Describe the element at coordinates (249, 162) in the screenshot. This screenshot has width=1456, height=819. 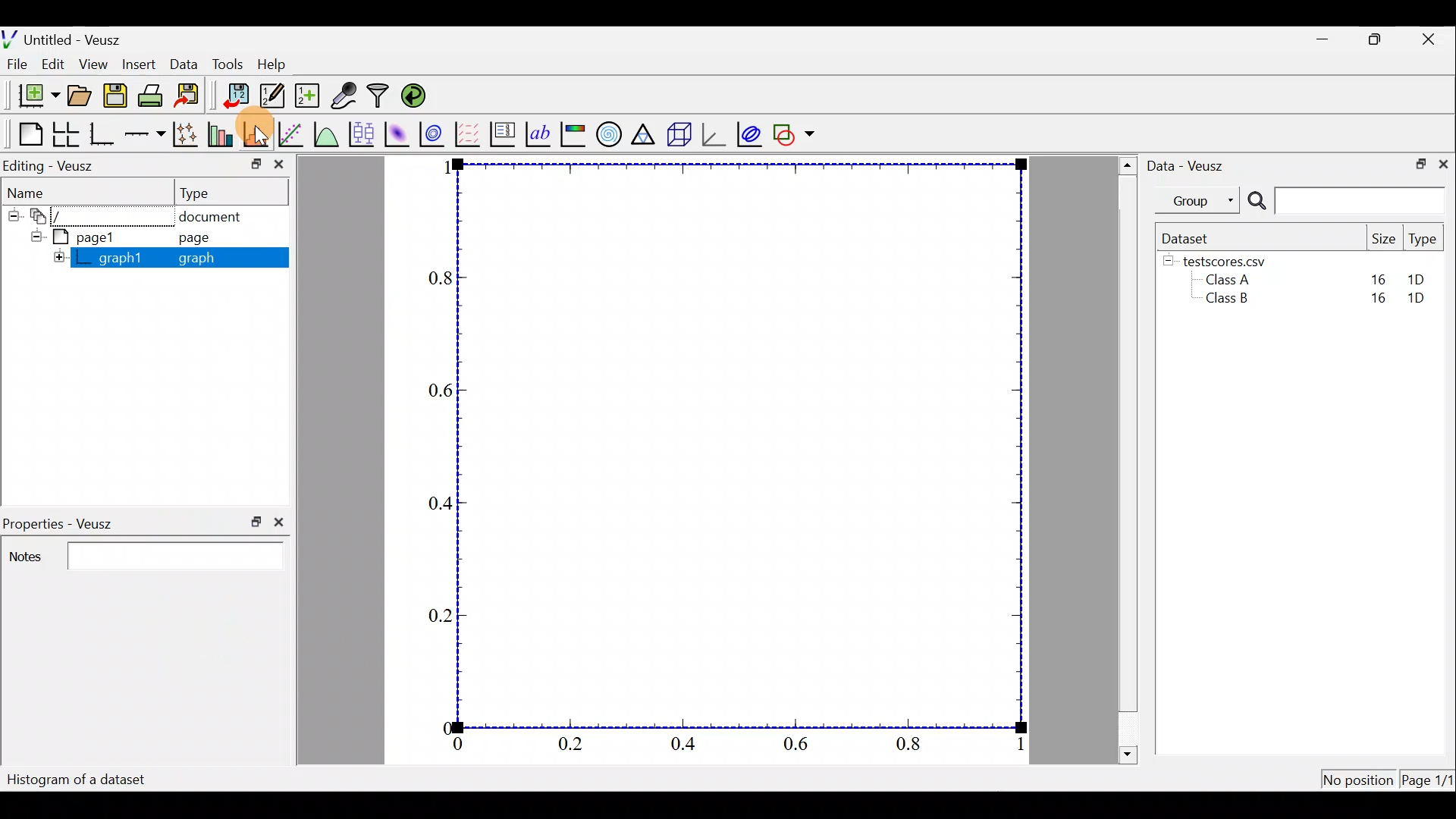
I see `restore down` at that location.